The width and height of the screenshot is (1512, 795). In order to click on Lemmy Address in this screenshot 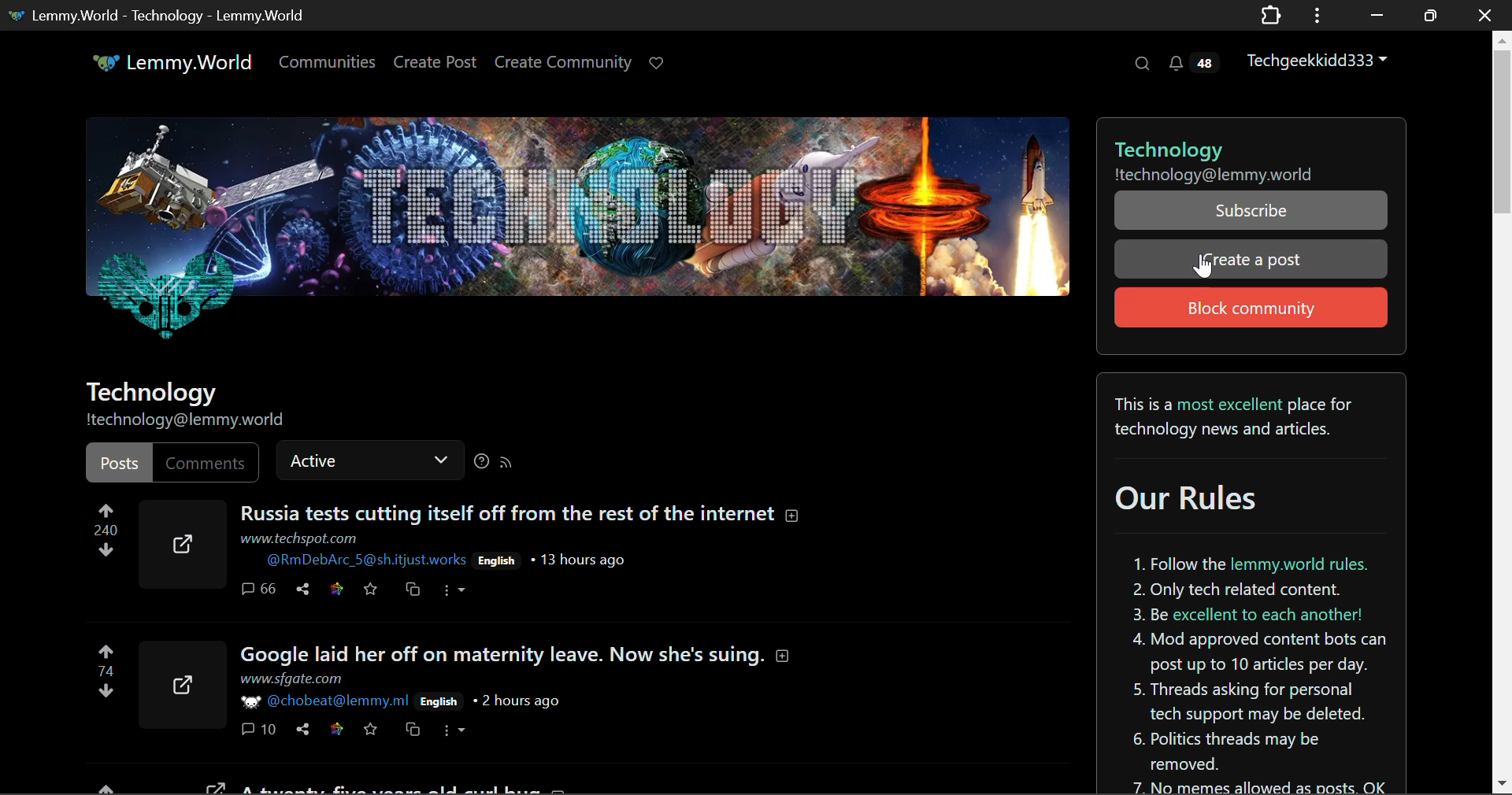, I will do `click(1210, 173)`.